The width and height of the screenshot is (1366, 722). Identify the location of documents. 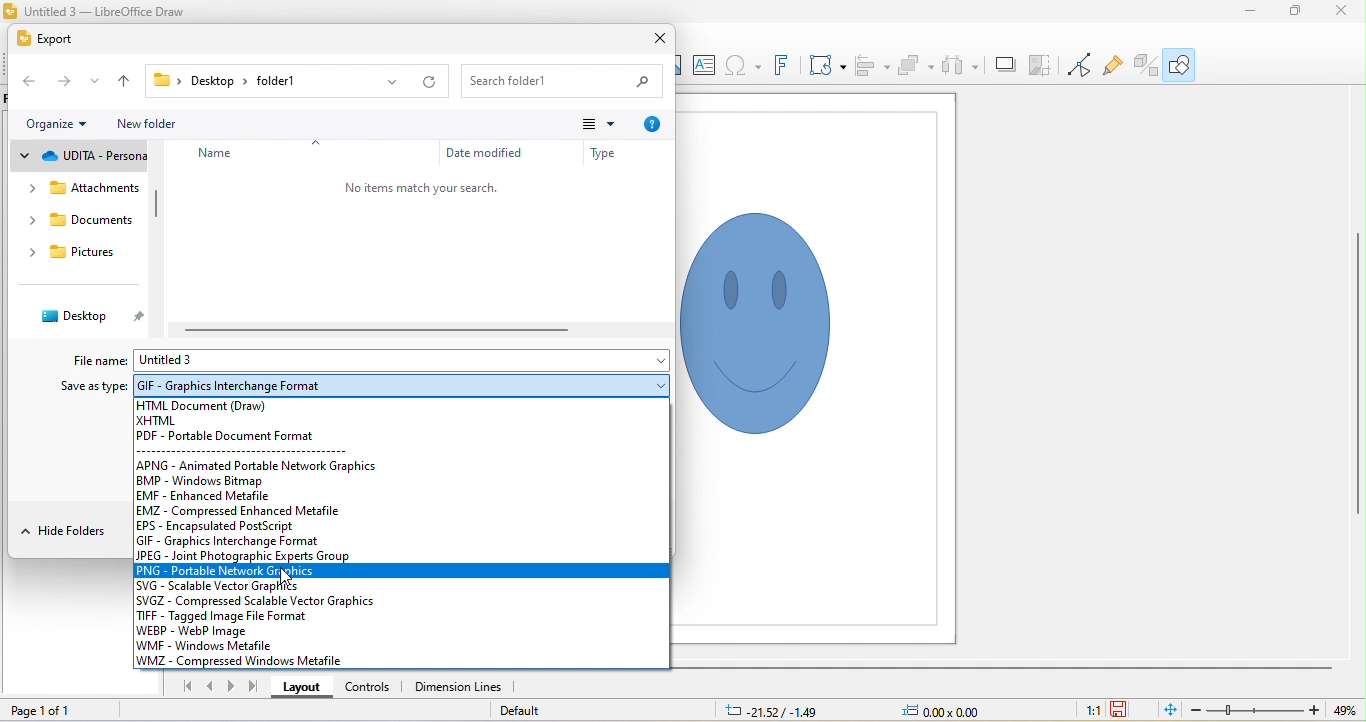
(96, 220).